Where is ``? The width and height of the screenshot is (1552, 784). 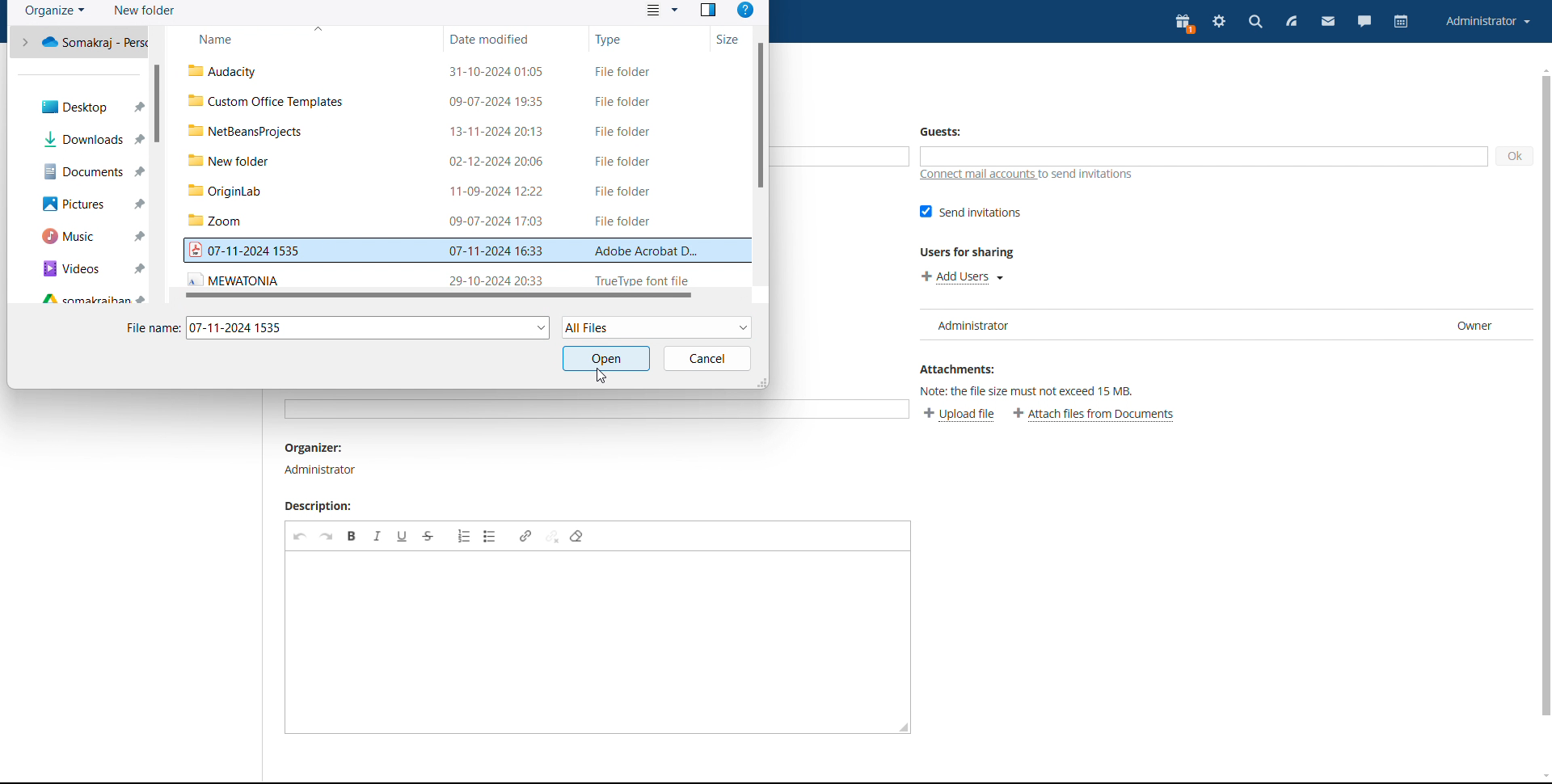  is located at coordinates (82, 105).